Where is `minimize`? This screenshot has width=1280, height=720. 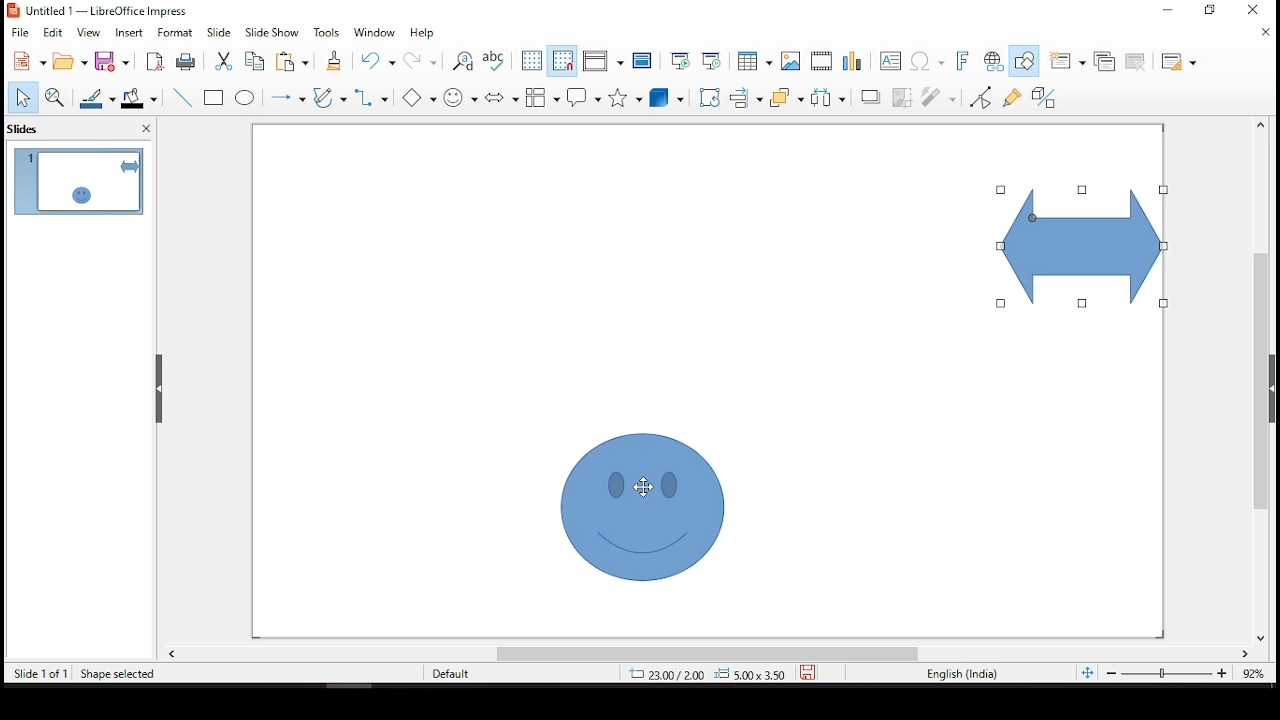
minimize is located at coordinates (1212, 11).